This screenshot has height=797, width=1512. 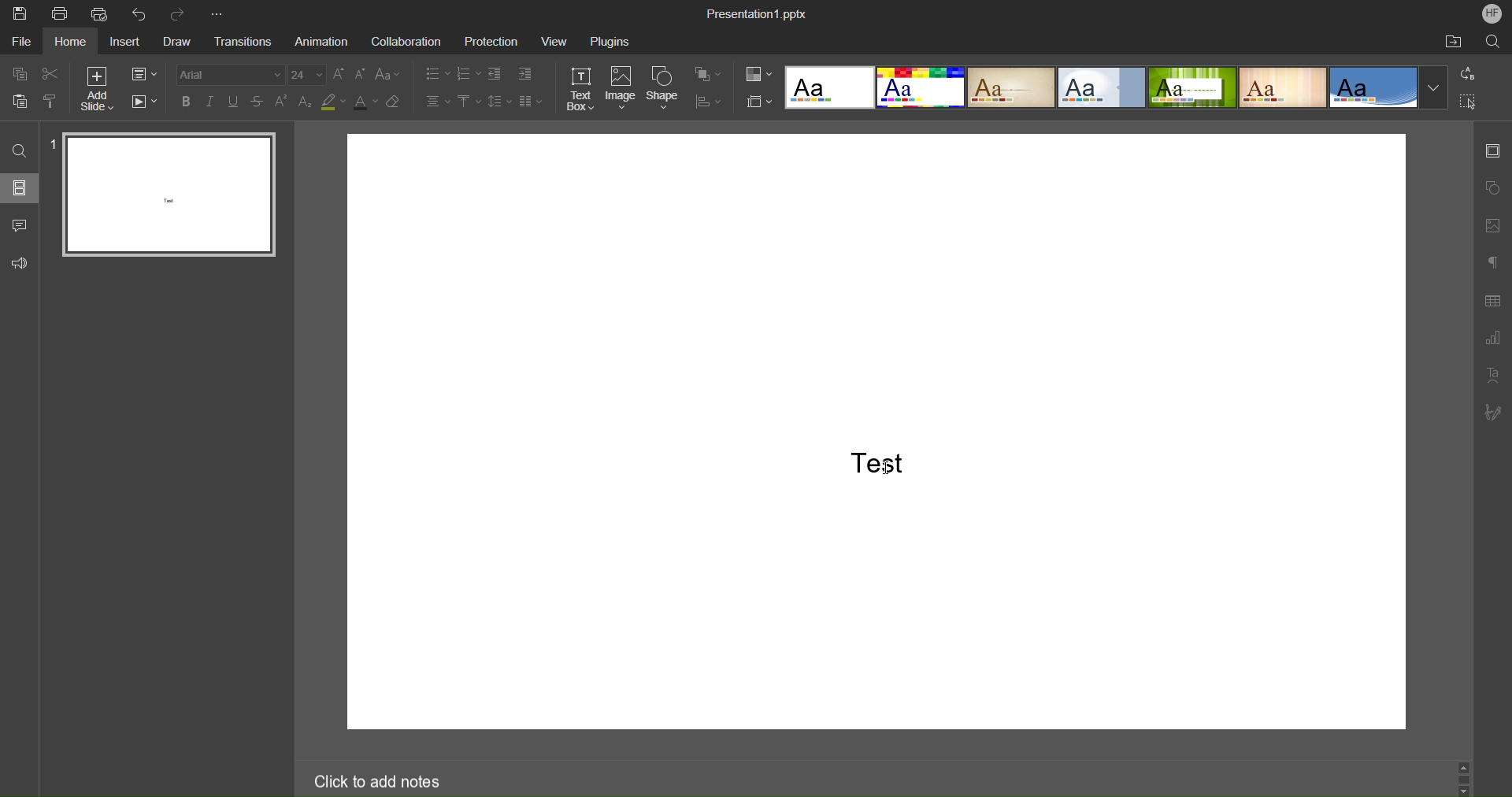 What do you see at coordinates (580, 88) in the screenshot?
I see `Text Box` at bounding box center [580, 88].